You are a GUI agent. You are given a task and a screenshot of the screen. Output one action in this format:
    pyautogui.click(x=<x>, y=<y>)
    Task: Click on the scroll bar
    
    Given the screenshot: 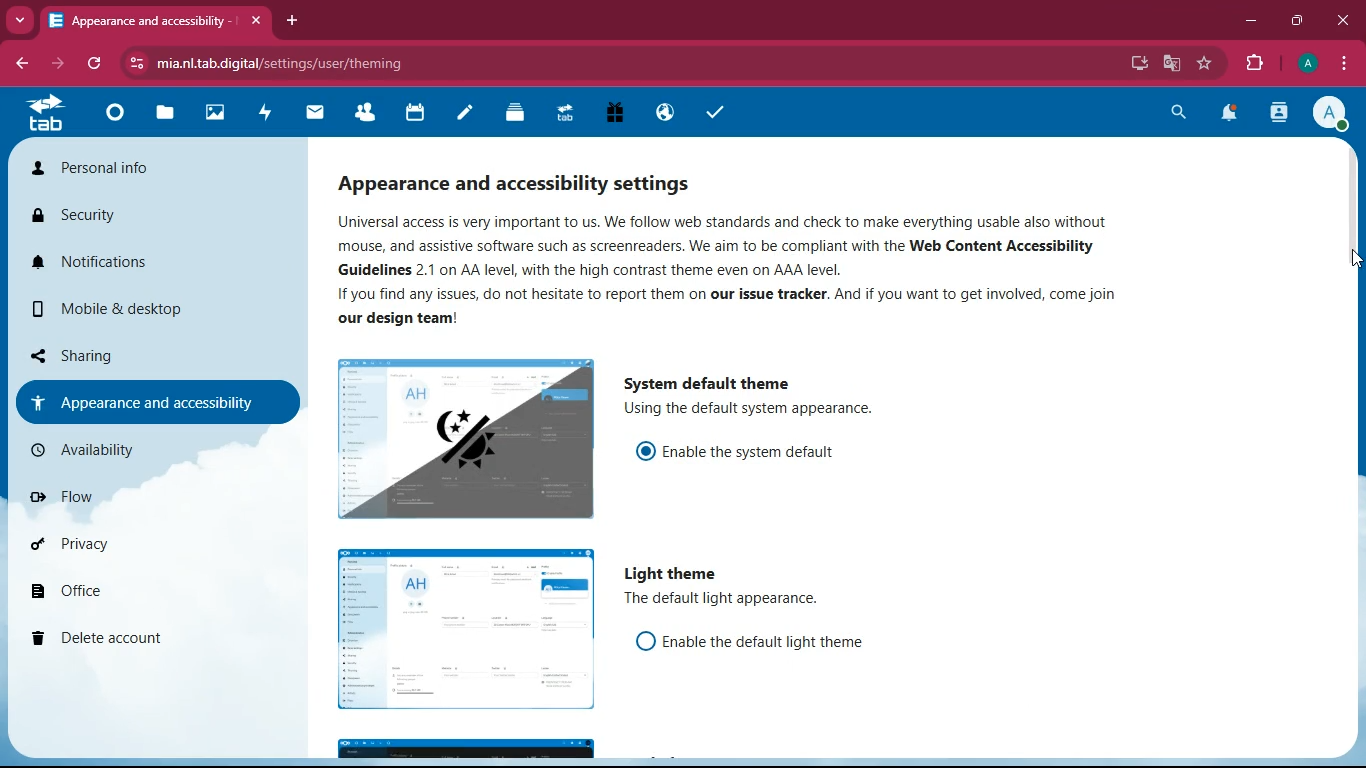 What is the action you would take?
    pyautogui.click(x=1353, y=208)
    